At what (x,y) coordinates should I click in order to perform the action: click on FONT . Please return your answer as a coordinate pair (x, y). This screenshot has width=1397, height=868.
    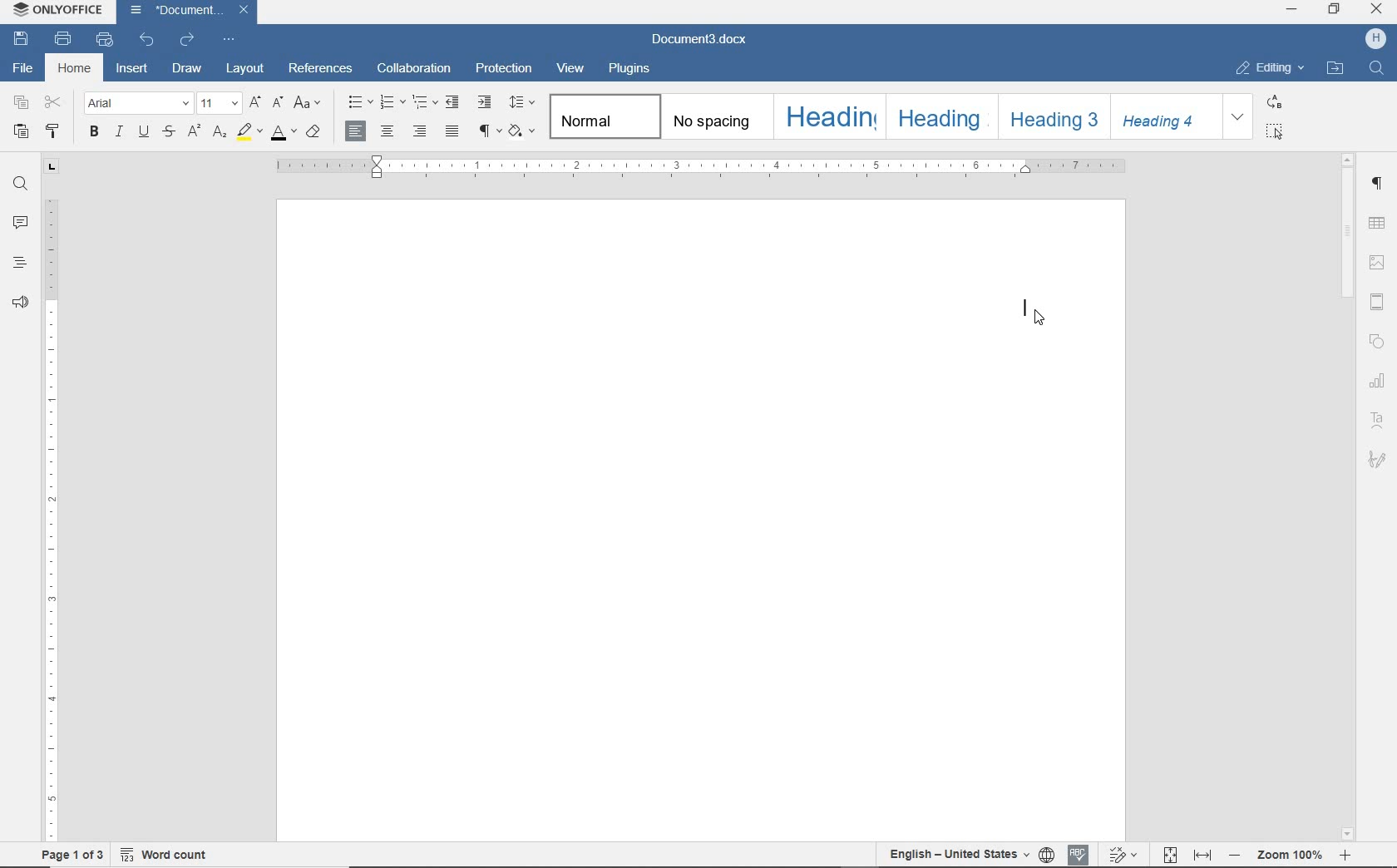
    Looking at the image, I should click on (138, 102).